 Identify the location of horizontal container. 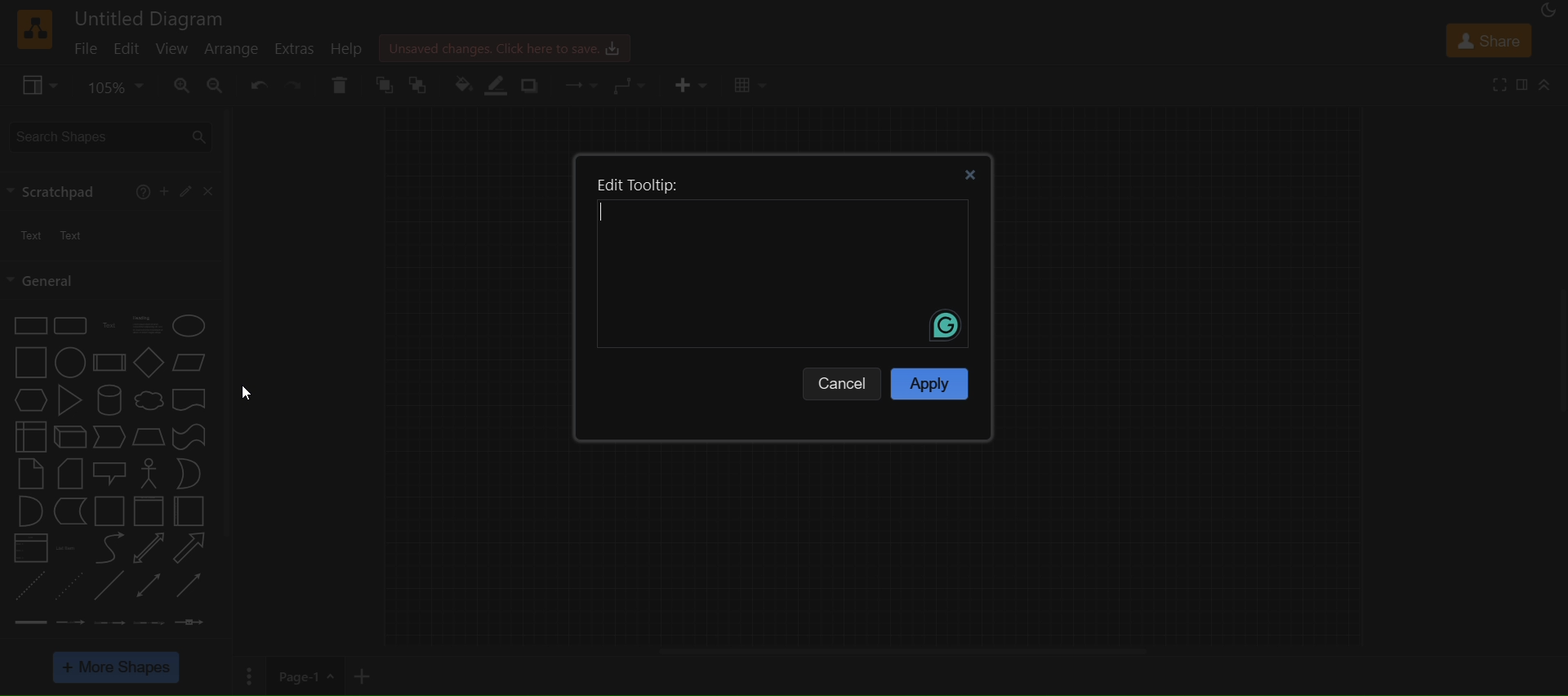
(192, 511).